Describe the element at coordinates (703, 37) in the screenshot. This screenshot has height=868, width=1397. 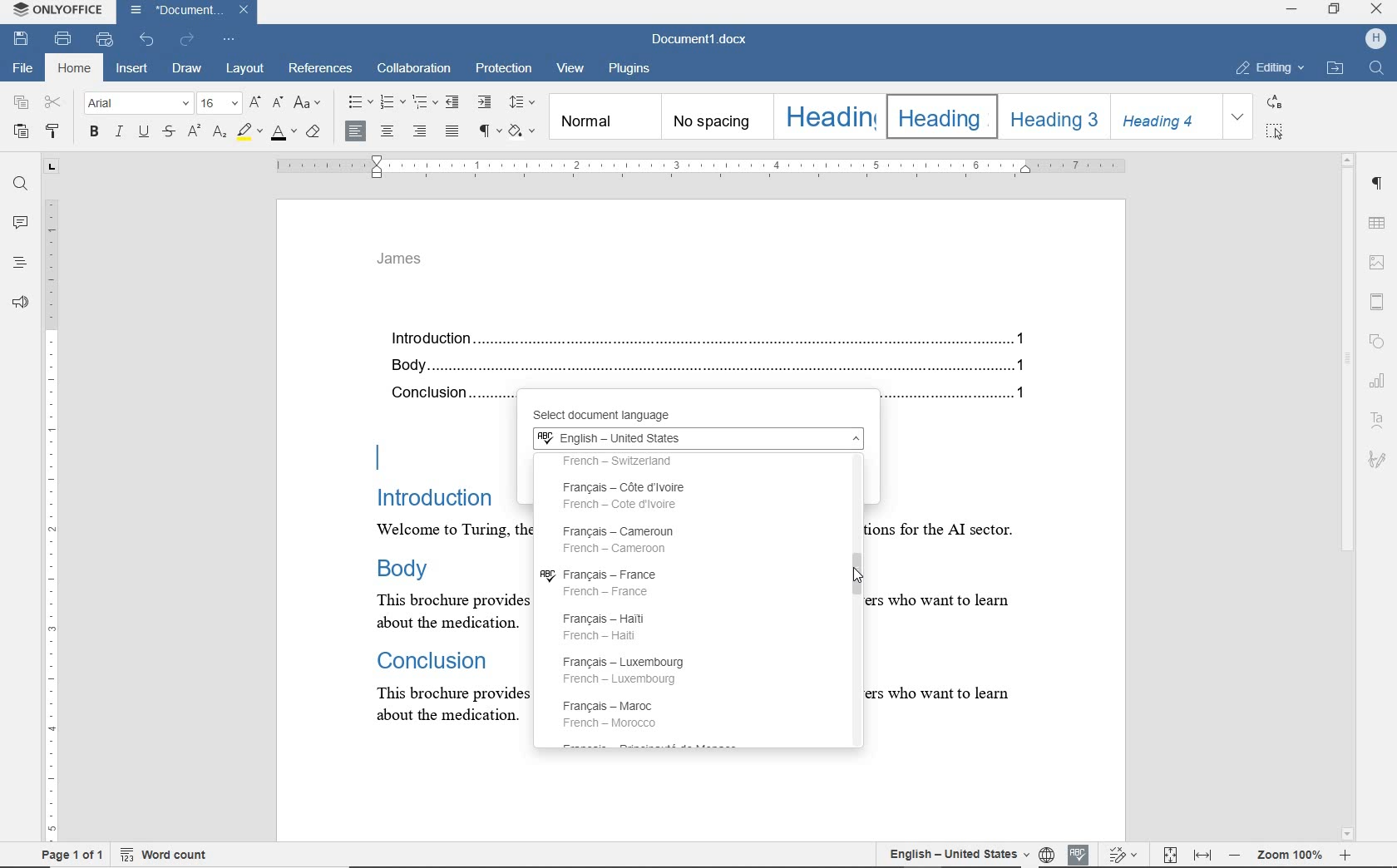
I see `document name` at that location.